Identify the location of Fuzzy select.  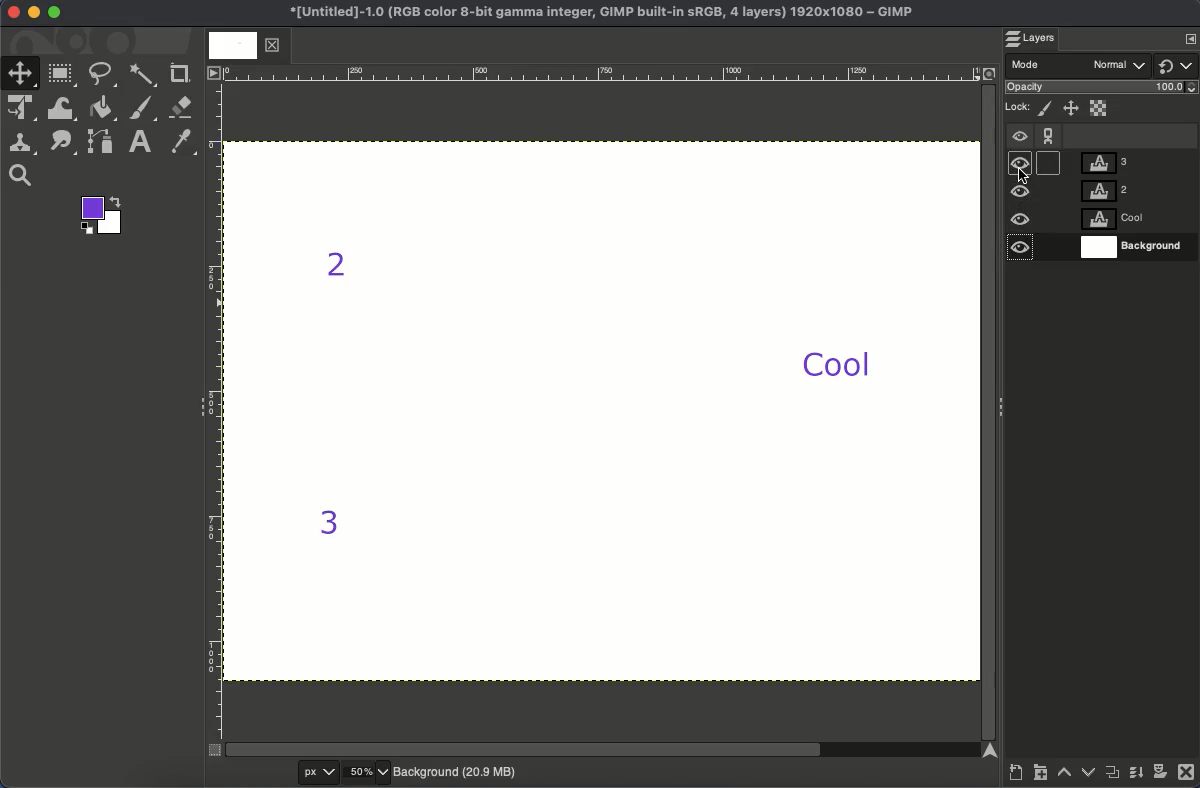
(142, 75).